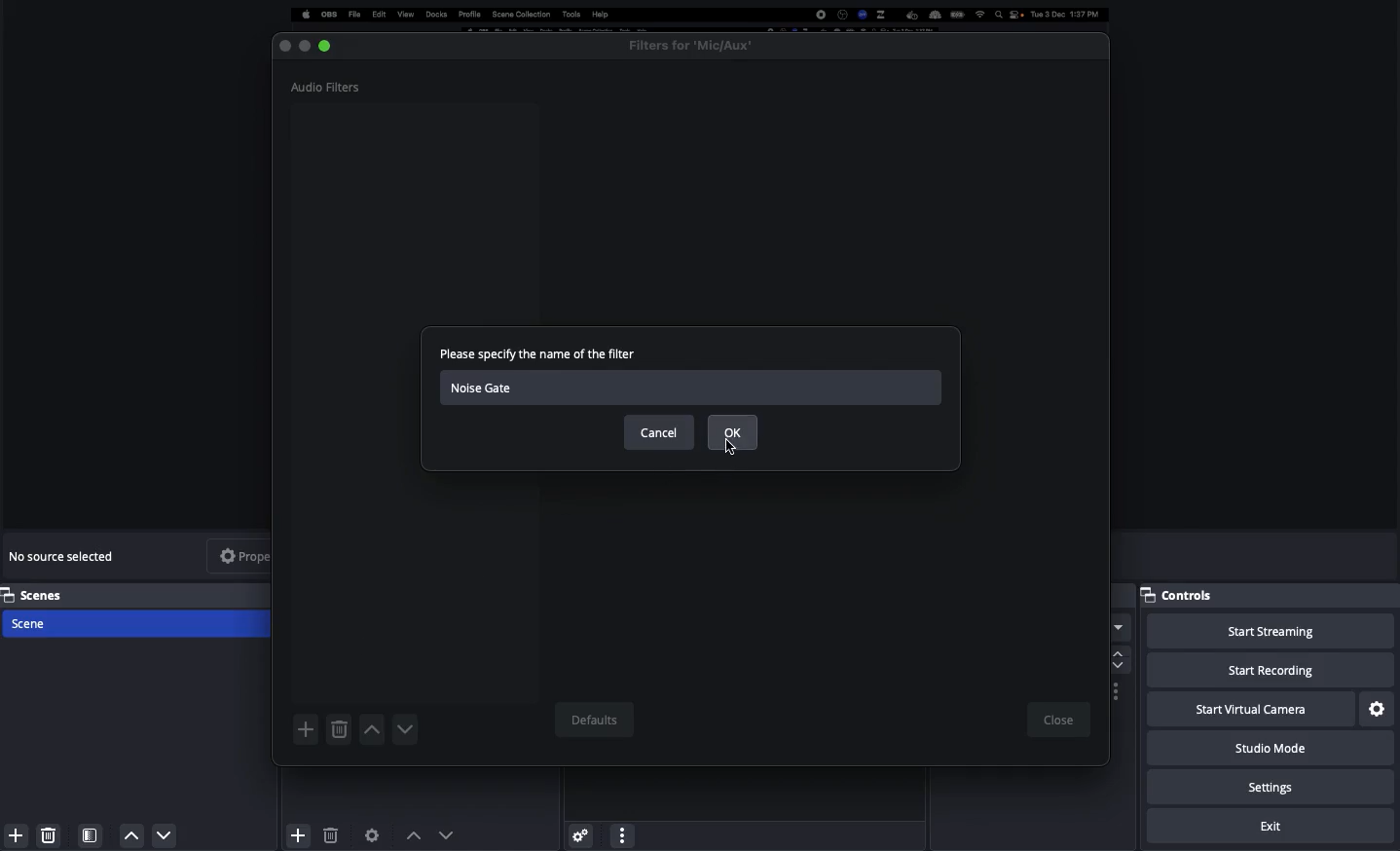  Describe the element at coordinates (1273, 788) in the screenshot. I see `Settings` at that location.